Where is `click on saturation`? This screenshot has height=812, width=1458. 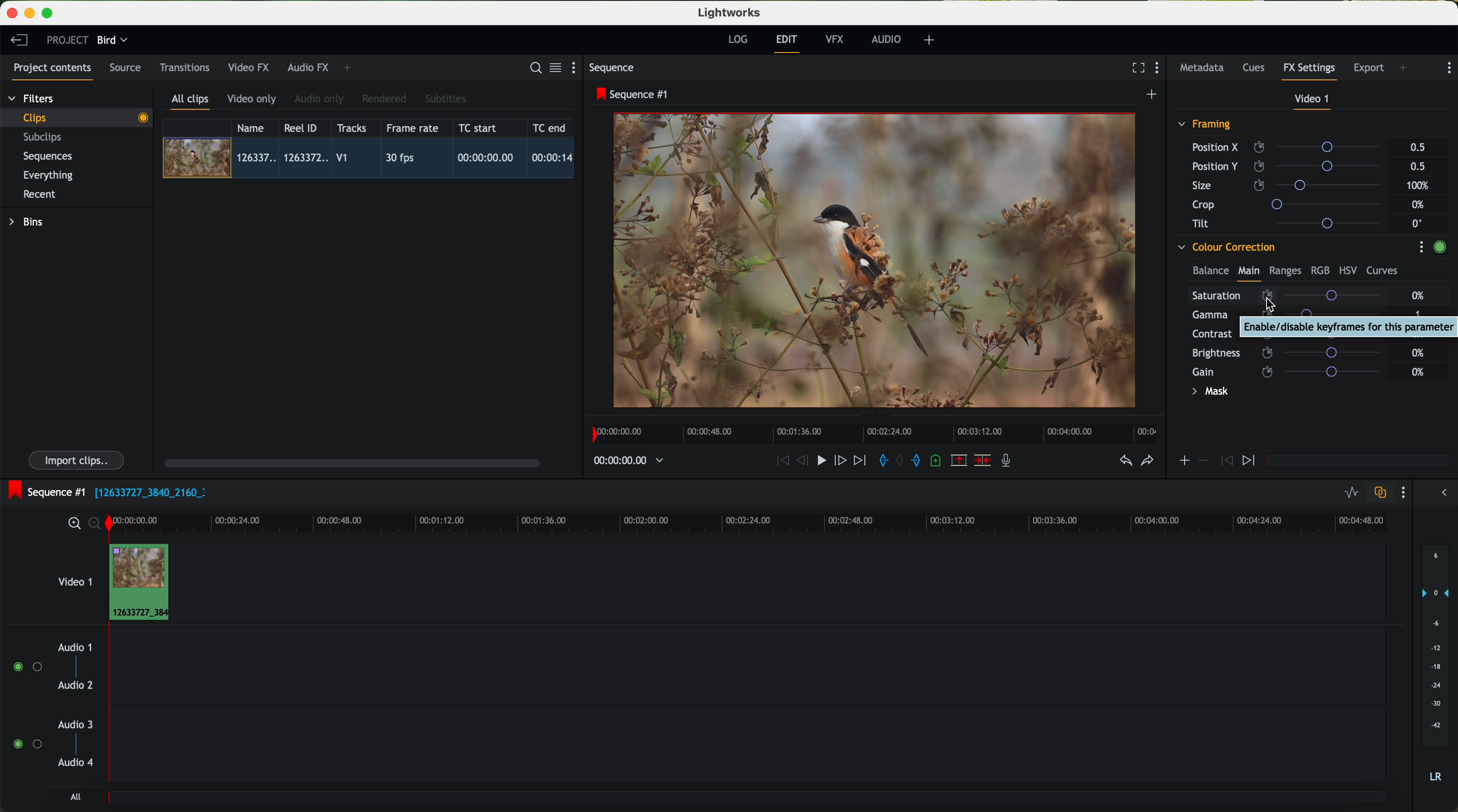
click on saturation is located at coordinates (1285, 295).